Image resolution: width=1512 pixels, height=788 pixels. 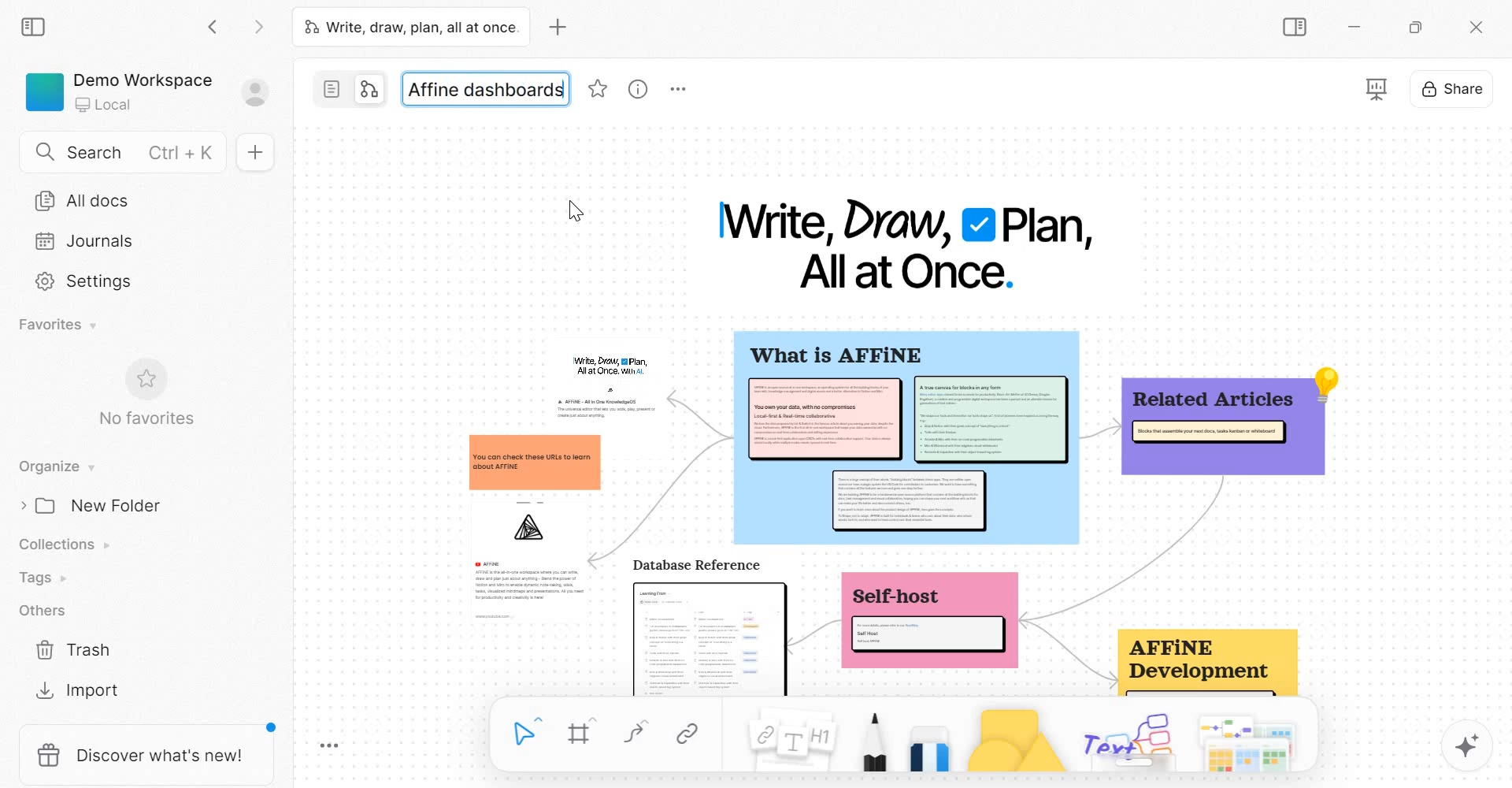 I want to click on view information, so click(x=636, y=89).